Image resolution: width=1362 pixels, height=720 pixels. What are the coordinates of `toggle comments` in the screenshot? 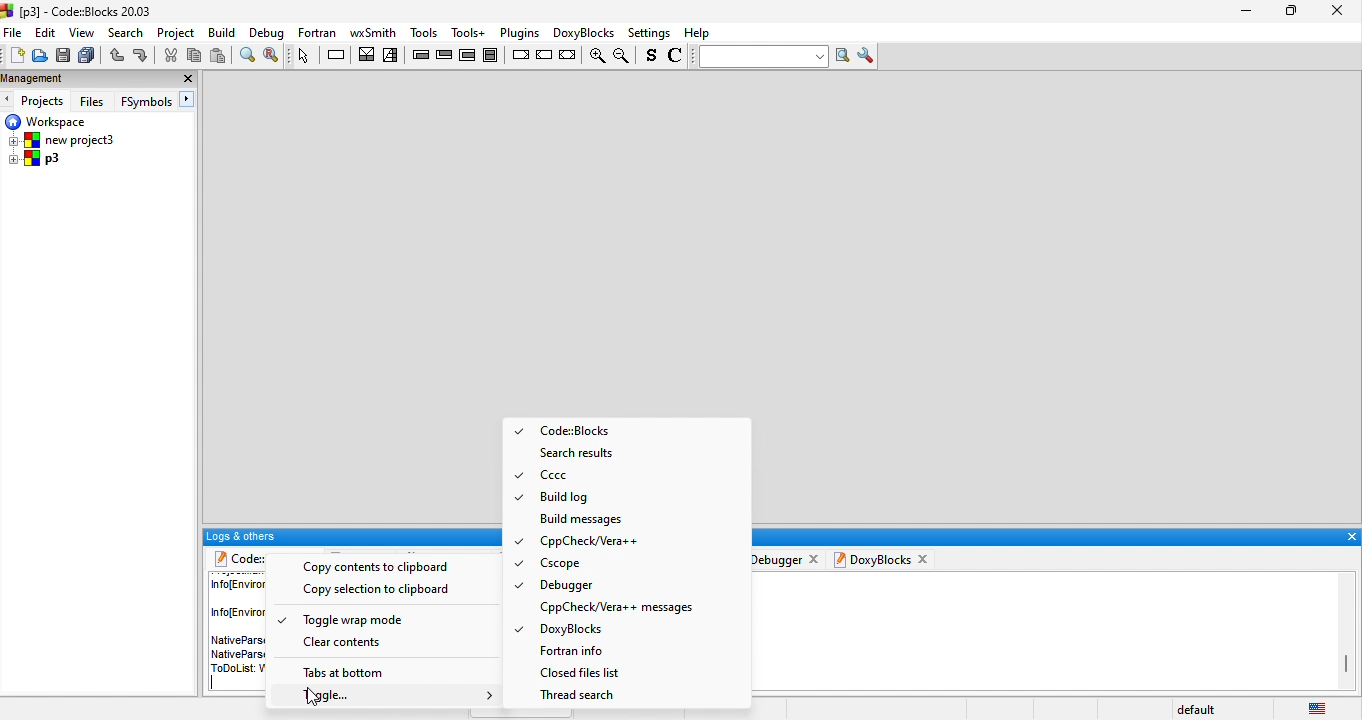 It's located at (678, 58).